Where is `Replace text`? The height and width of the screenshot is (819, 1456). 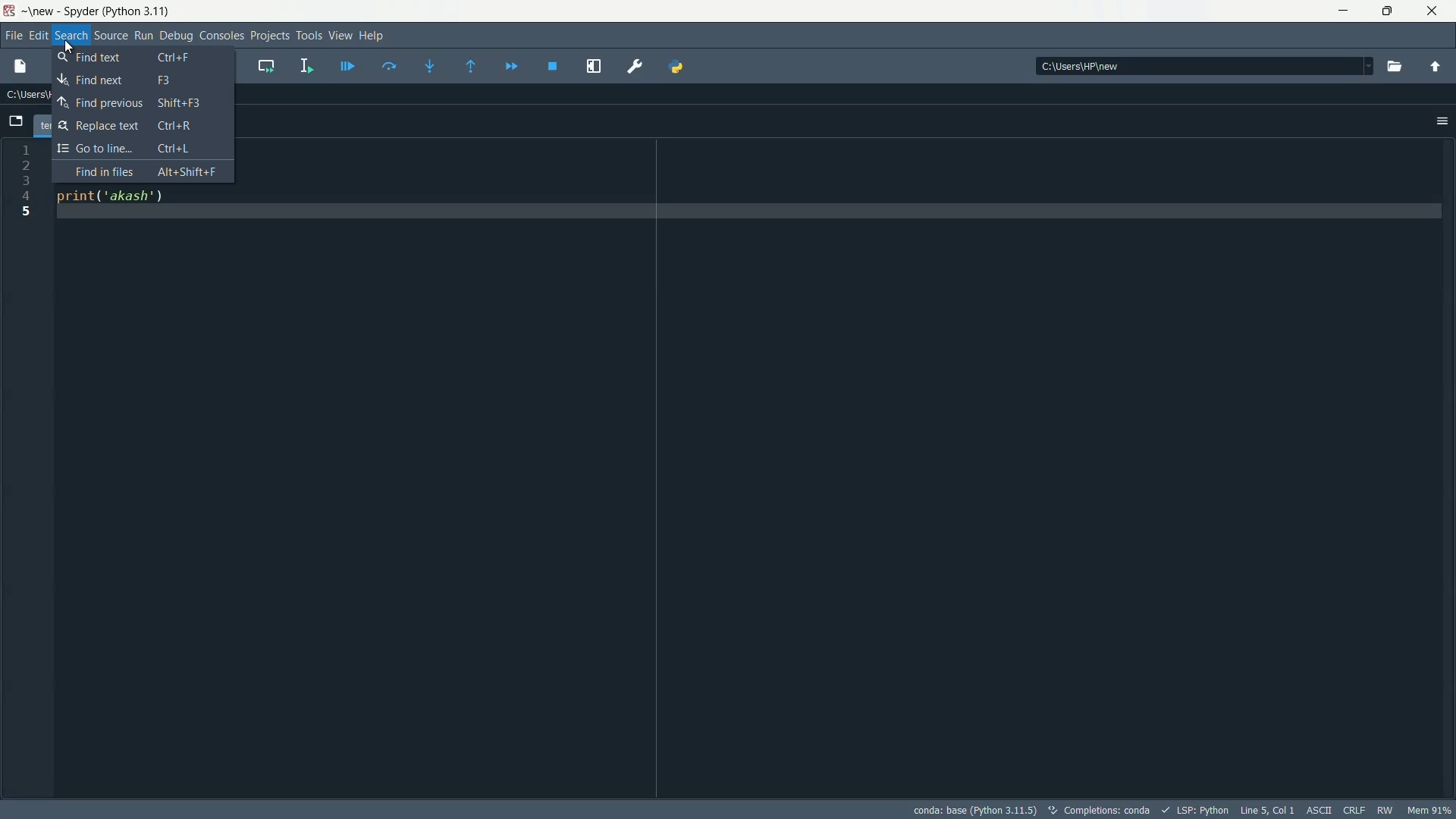 Replace text is located at coordinates (142, 124).